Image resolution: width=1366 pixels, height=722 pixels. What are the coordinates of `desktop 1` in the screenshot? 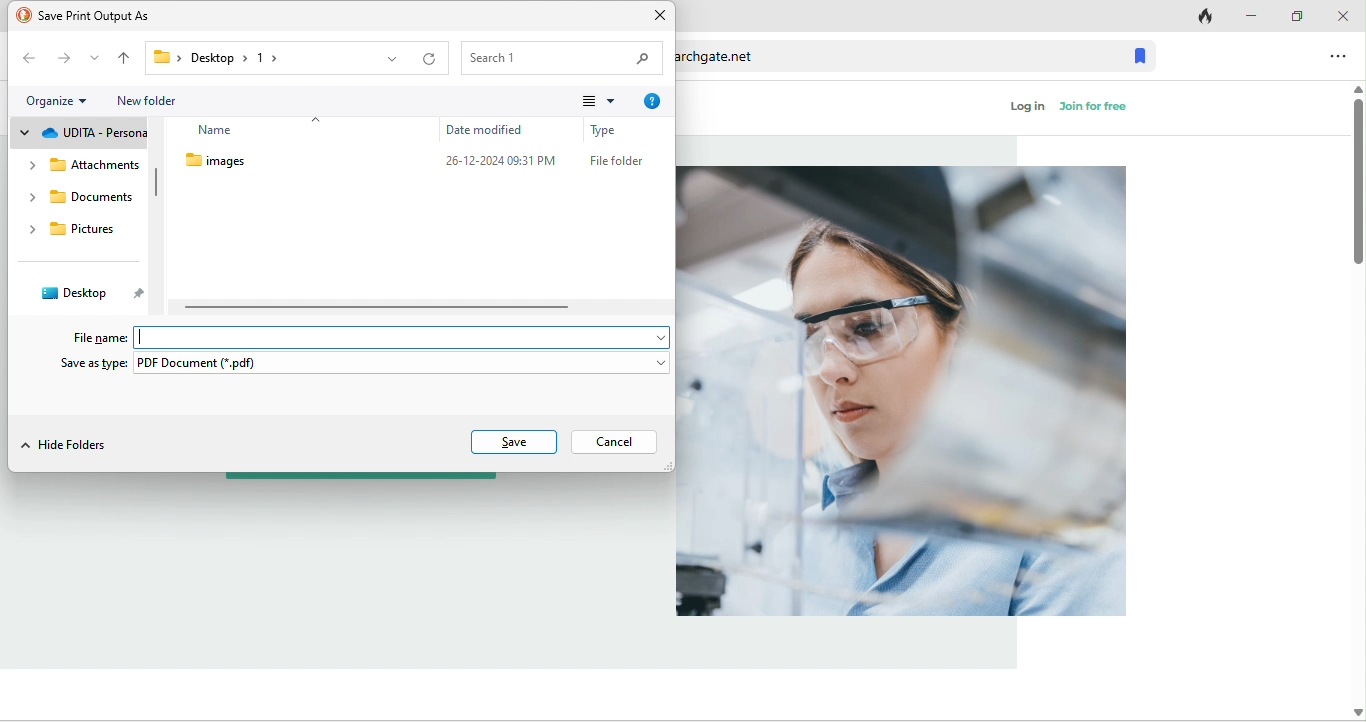 It's located at (211, 57).